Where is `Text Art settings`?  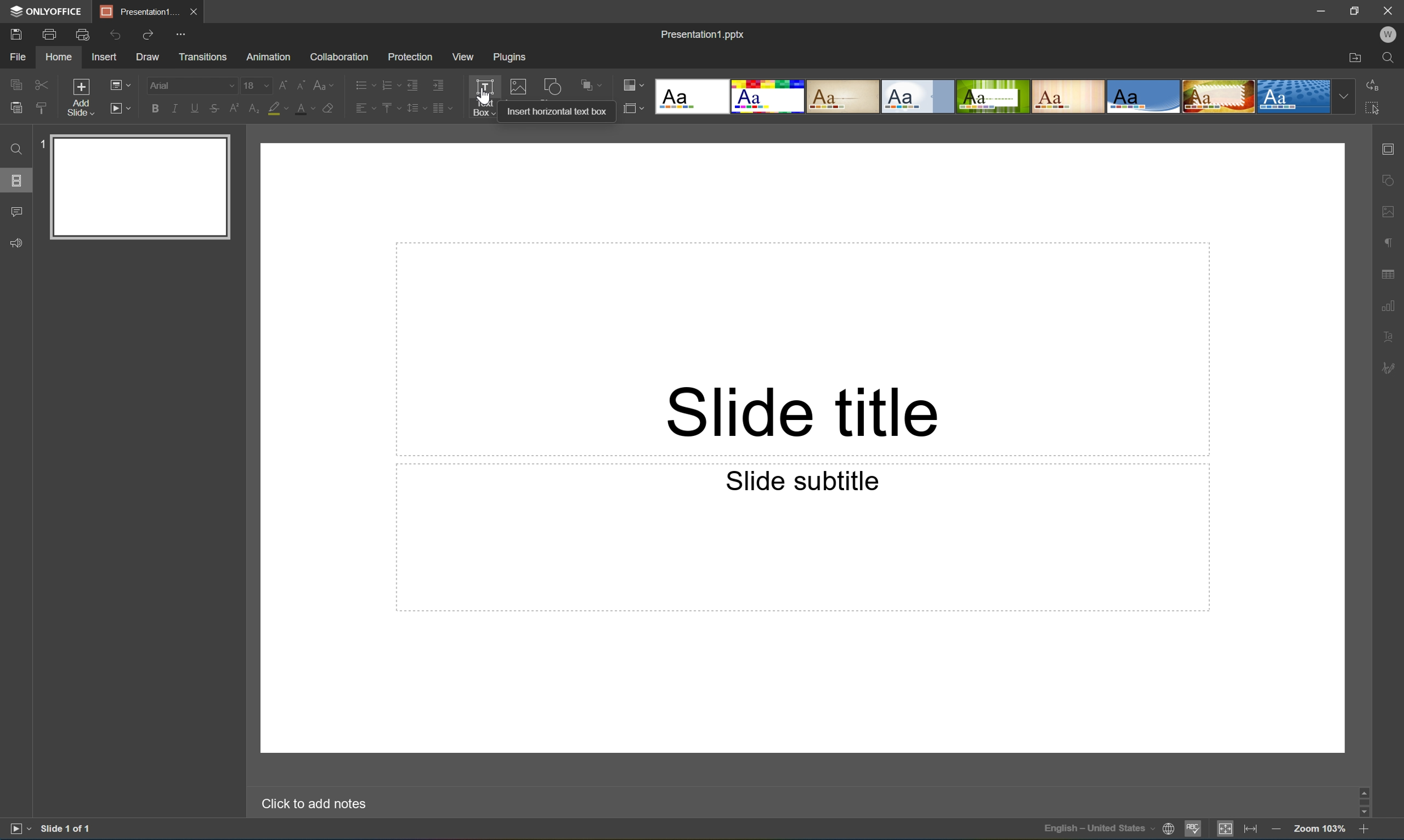 Text Art settings is located at coordinates (1389, 336).